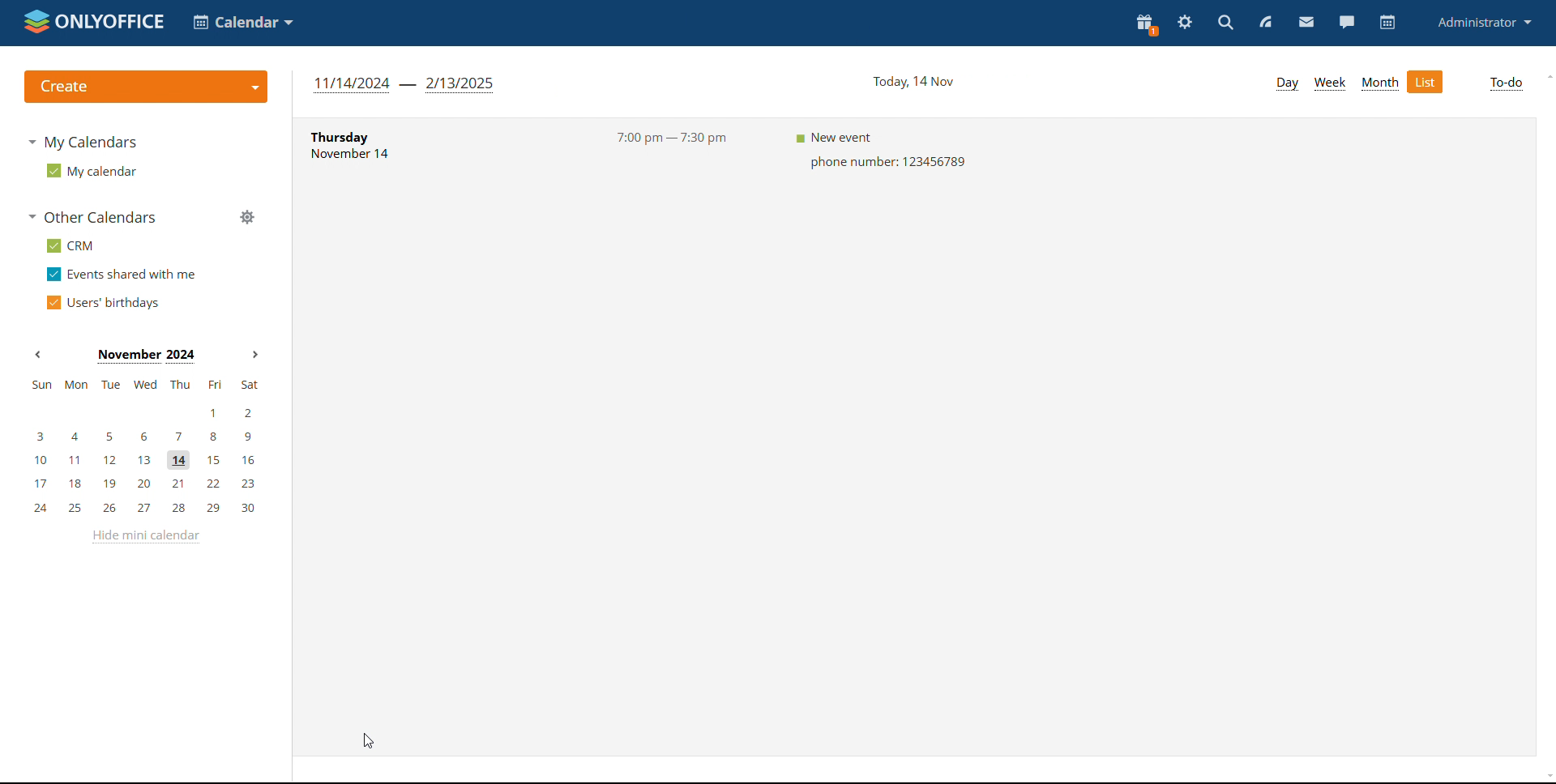  What do you see at coordinates (123, 275) in the screenshot?
I see `events shared with me` at bounding box center [123, 275].